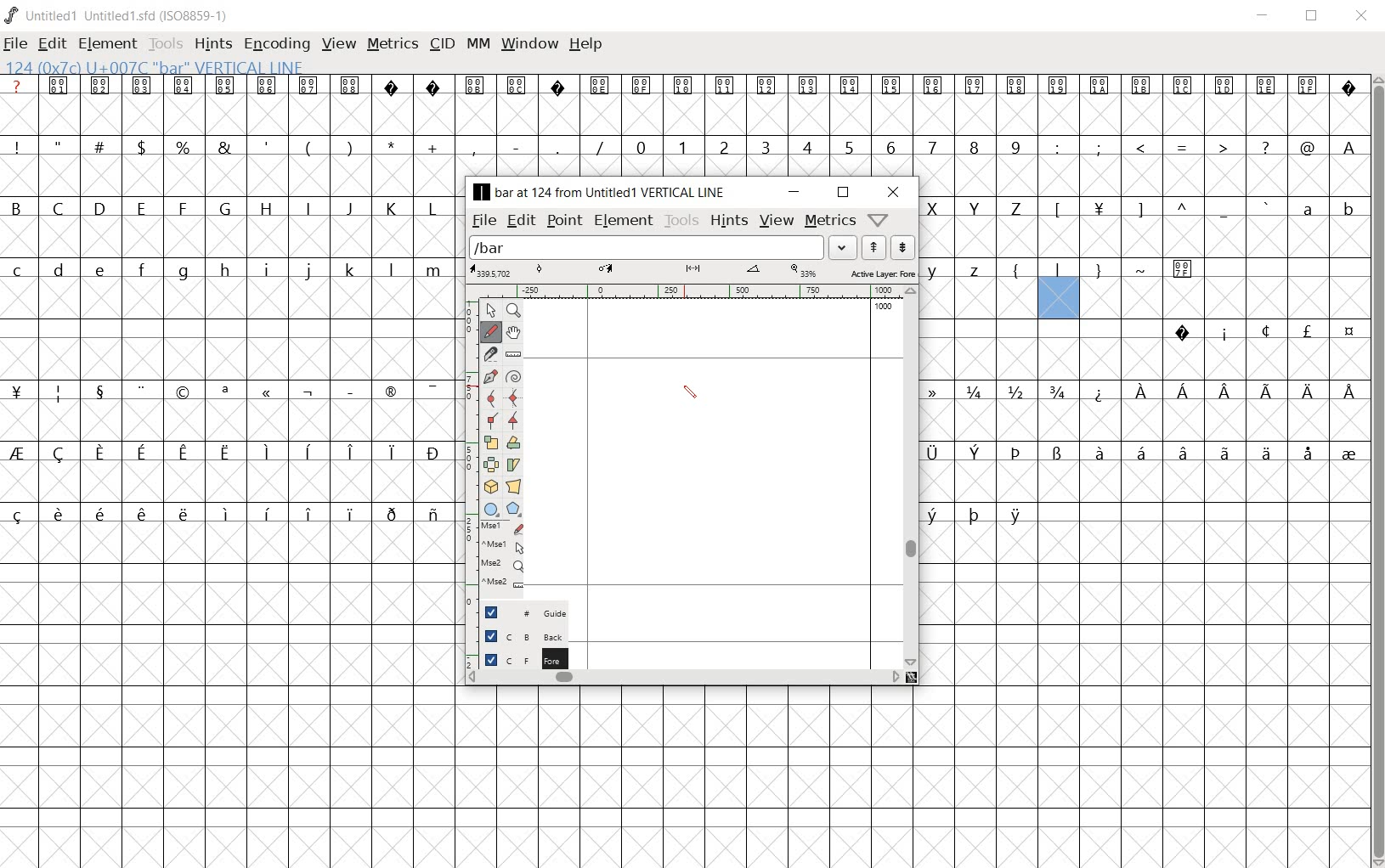  What do you see at coordinates (1363, 17) in the screenshot?
I see `close` at bounding box center [1363, 17].